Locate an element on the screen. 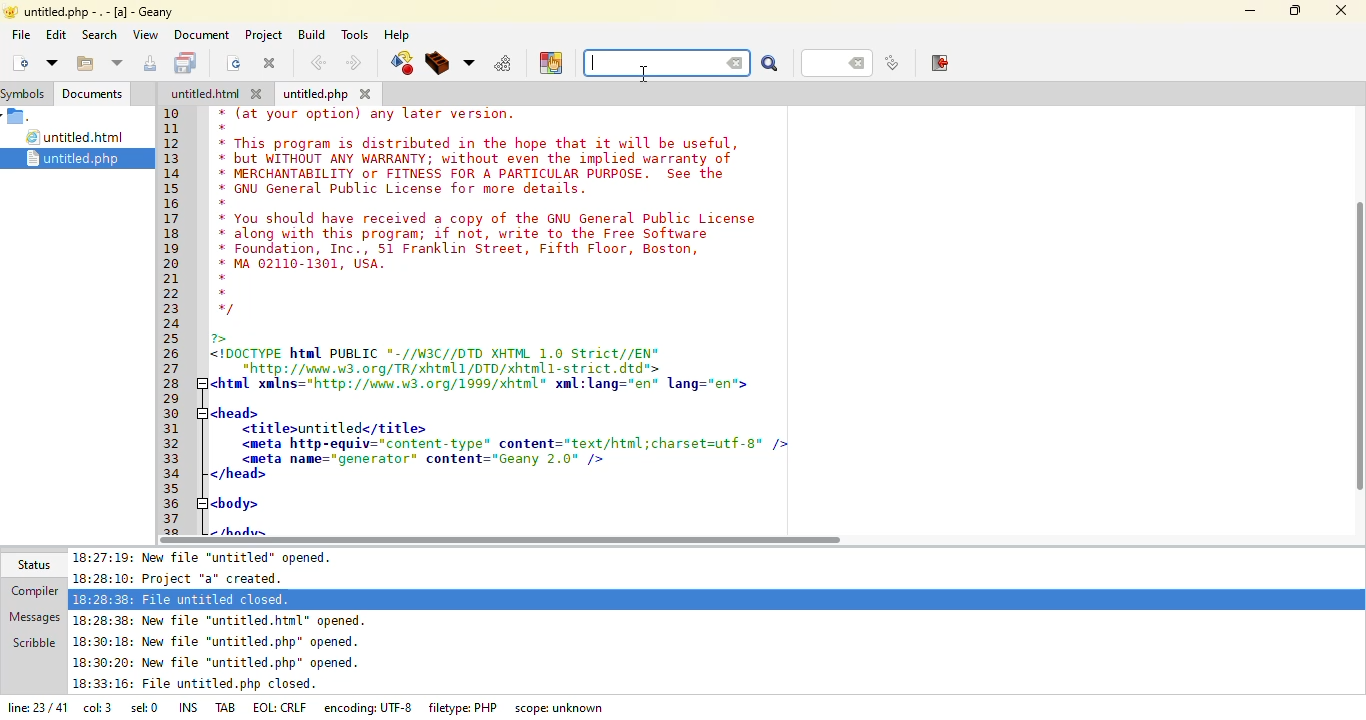  17 is located at coordinates (172, 219).